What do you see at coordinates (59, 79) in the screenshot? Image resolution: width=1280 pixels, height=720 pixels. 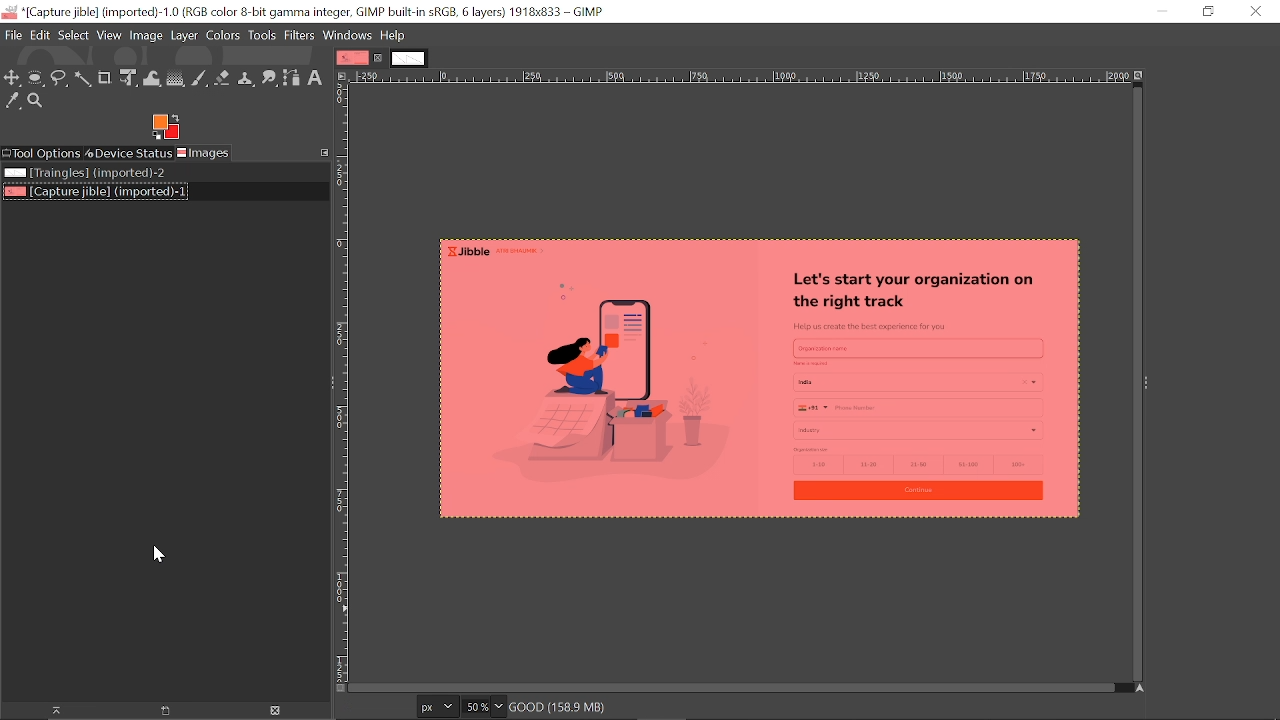 I see `Free select tool` at bounding box center [59, 79].